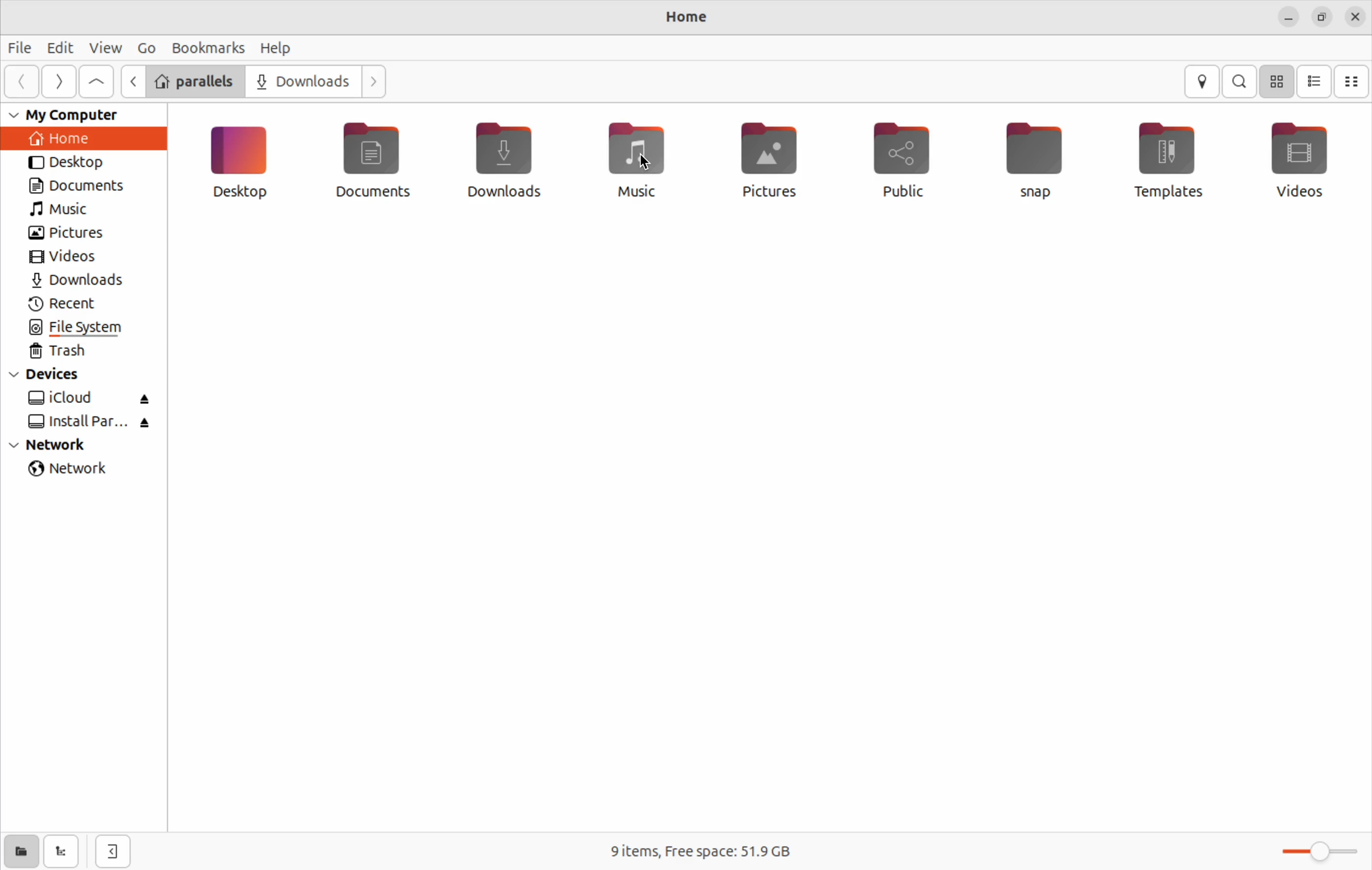 This screenshot has width=1372, height=870. Describe the element at coordinates (1171, 157) in the screenshot. I see `Templates` at that location.